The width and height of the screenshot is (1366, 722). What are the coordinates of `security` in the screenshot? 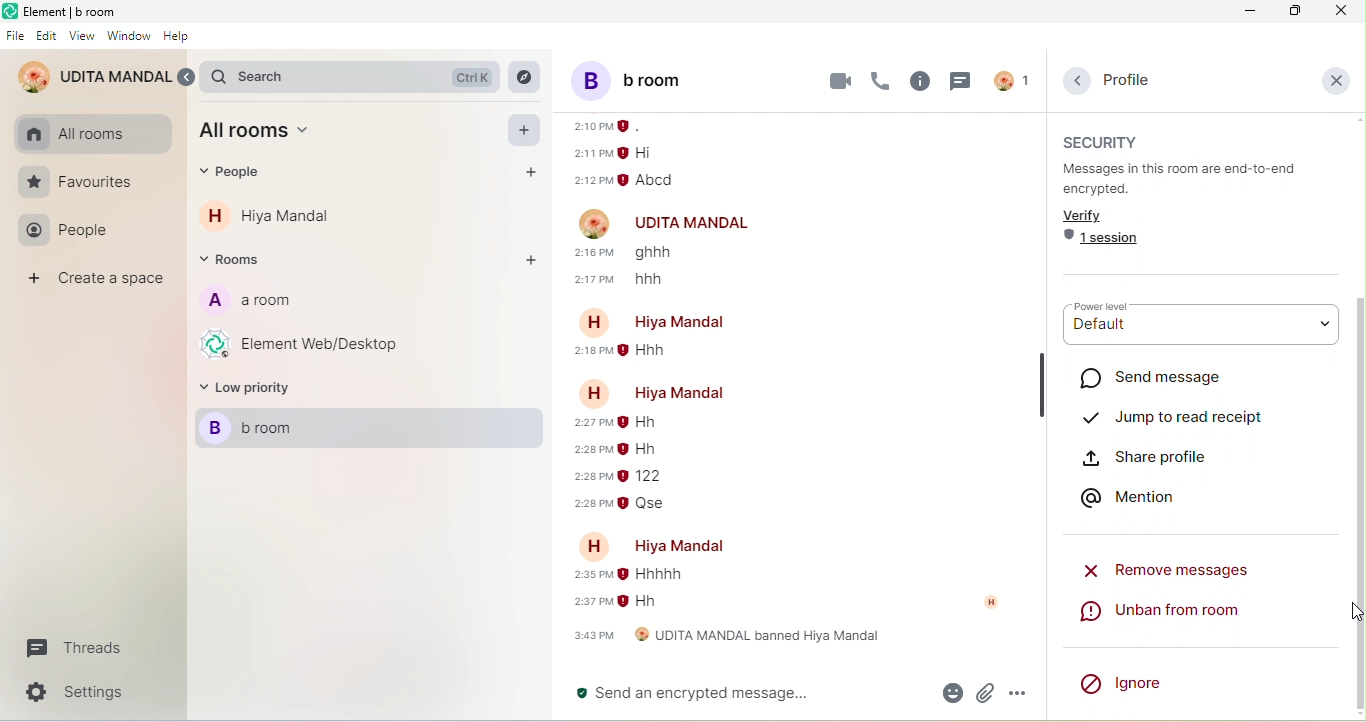 It's located at (1107, 141).